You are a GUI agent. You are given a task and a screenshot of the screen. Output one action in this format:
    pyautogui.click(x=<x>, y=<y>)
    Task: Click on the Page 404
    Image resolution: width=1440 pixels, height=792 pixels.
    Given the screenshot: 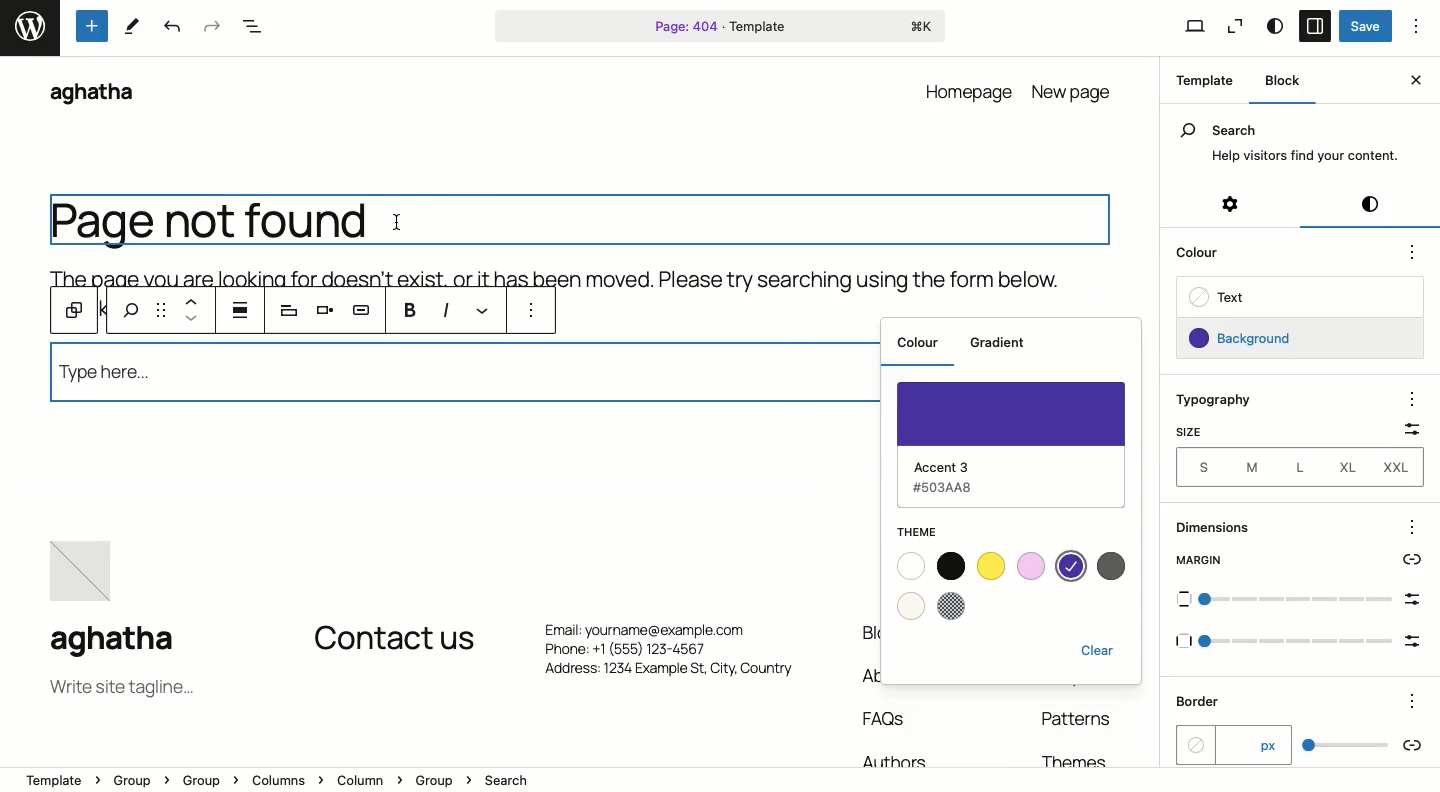 What is the action you would take?
    pyautogui.click(x=722, y=25)
    